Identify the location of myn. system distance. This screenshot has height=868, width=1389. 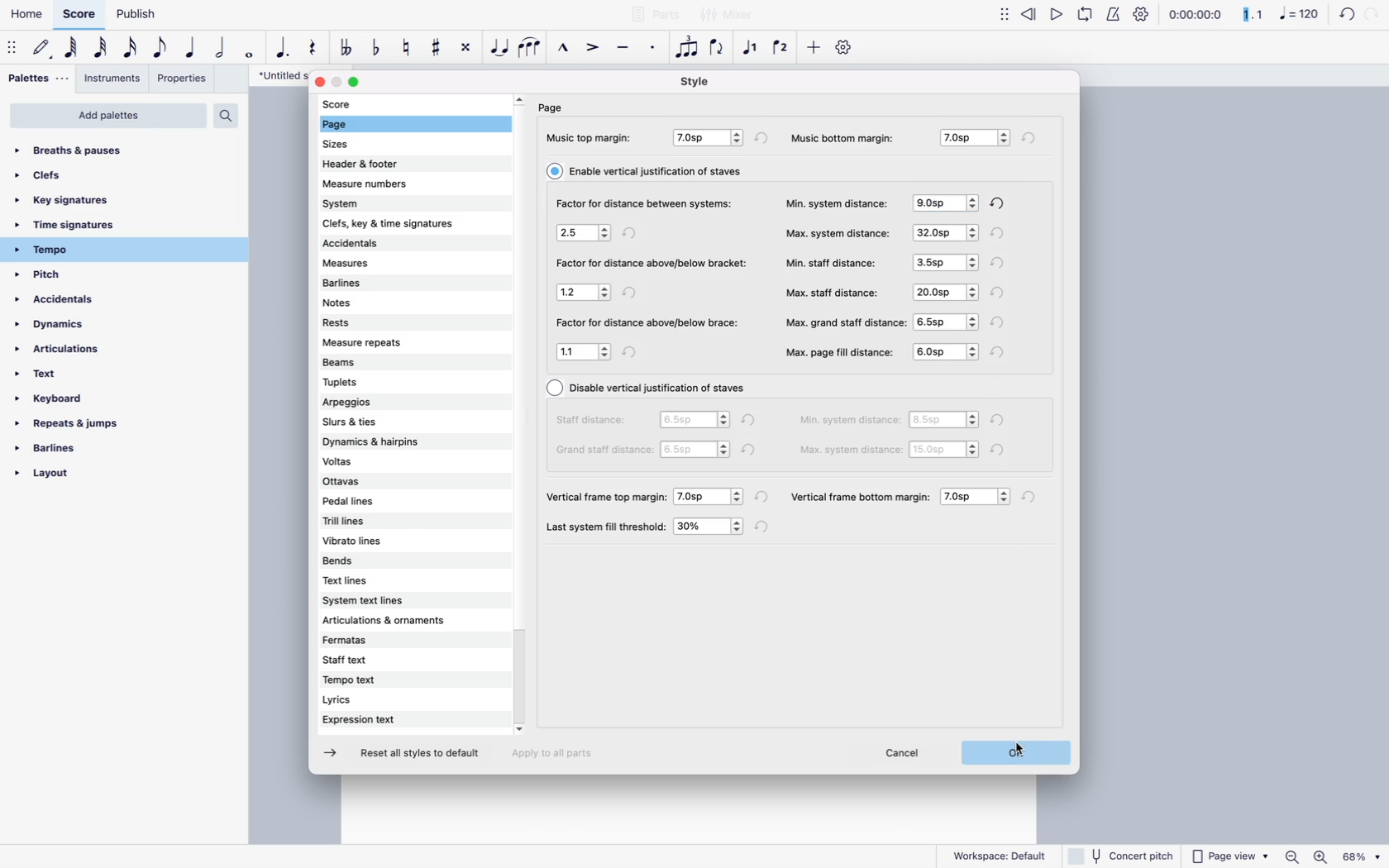
(851, 422).